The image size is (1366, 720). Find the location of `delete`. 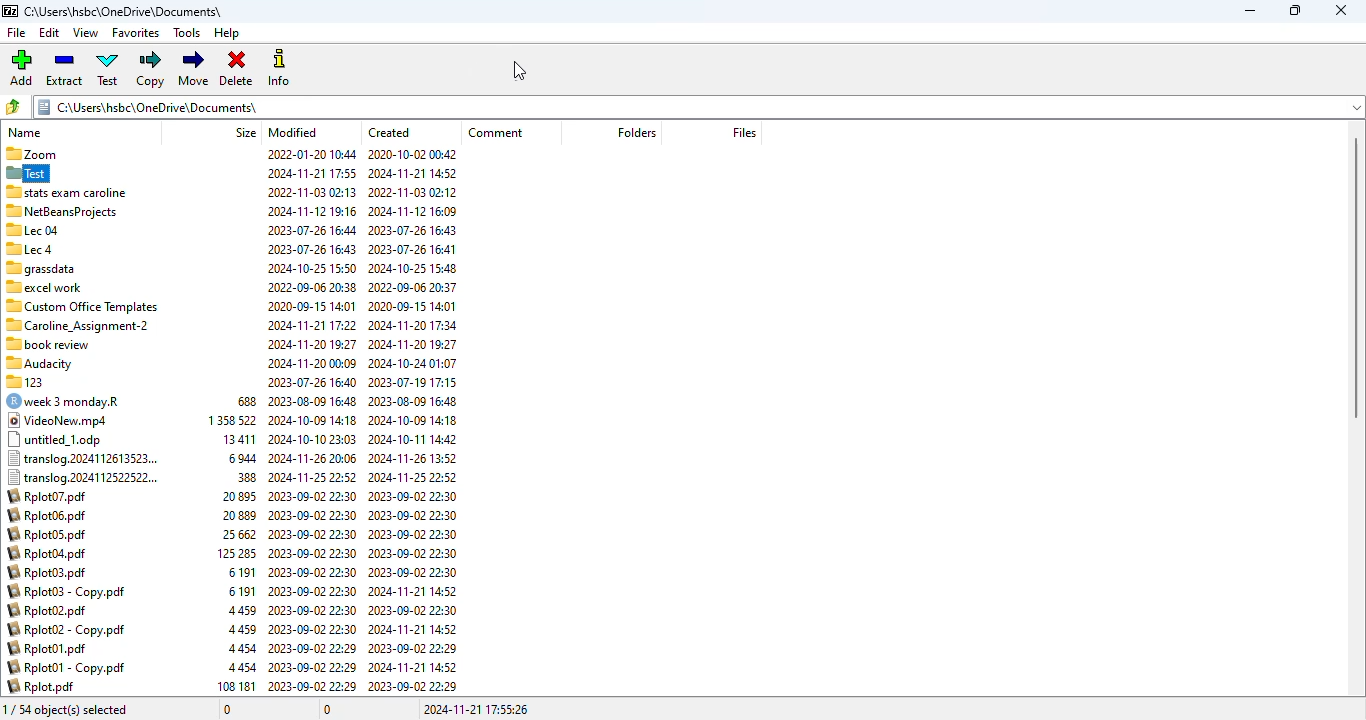

delete is located at coordinates (236, 67).